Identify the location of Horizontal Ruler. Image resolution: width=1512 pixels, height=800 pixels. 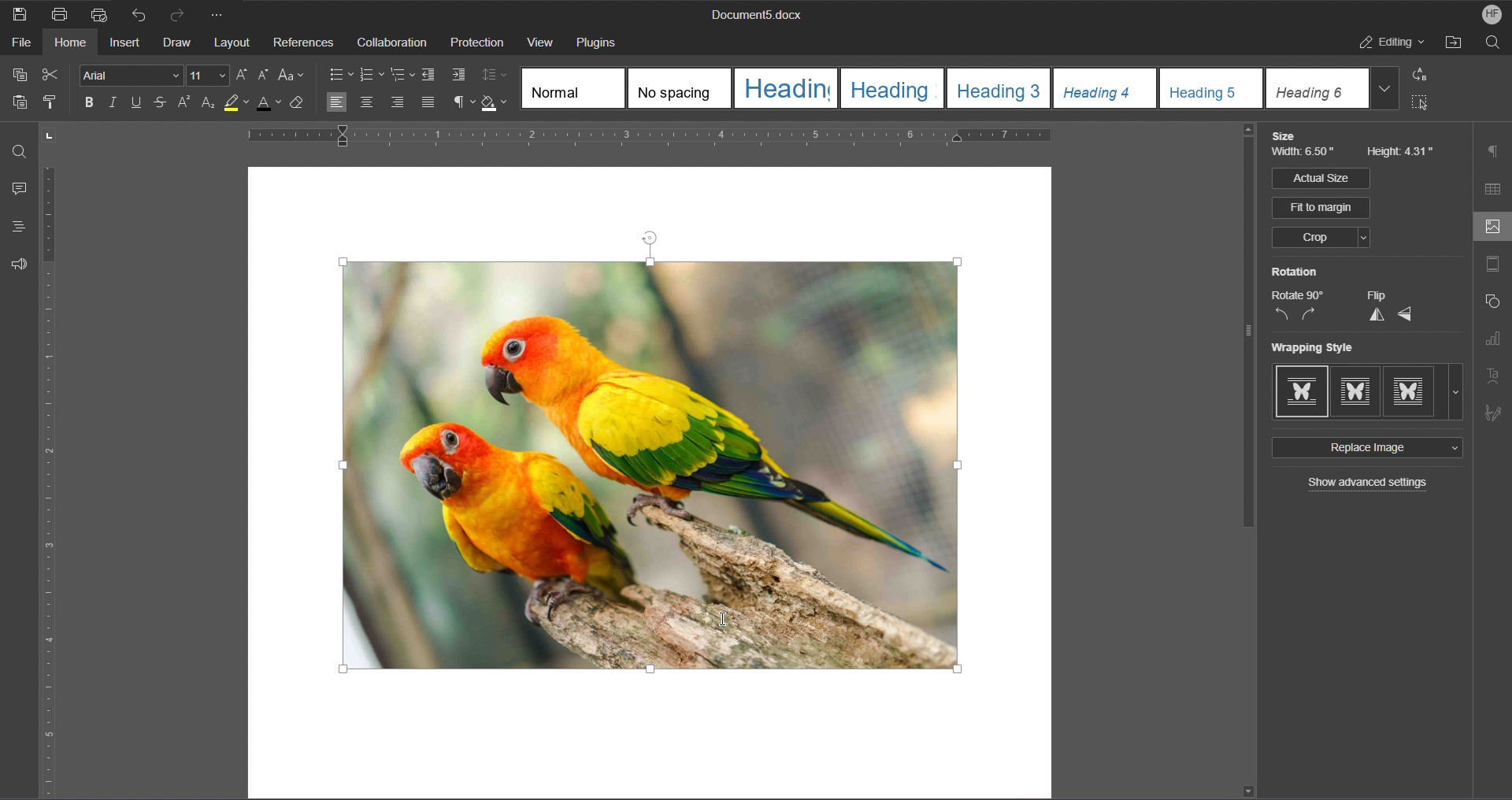
(702, 139).